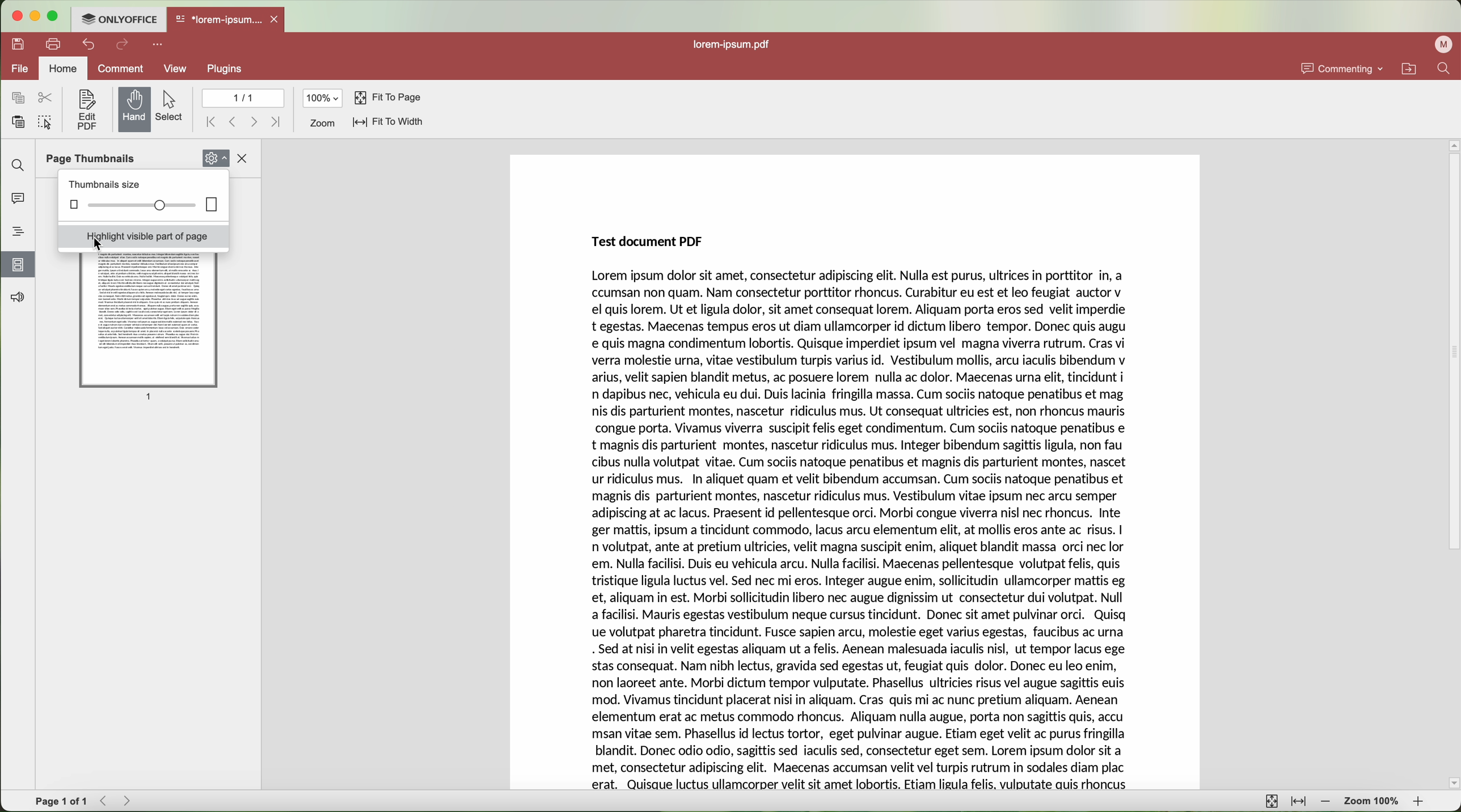  Describe the element at coordinates (1447, 69) in the screenshot. I see `find` at that location.